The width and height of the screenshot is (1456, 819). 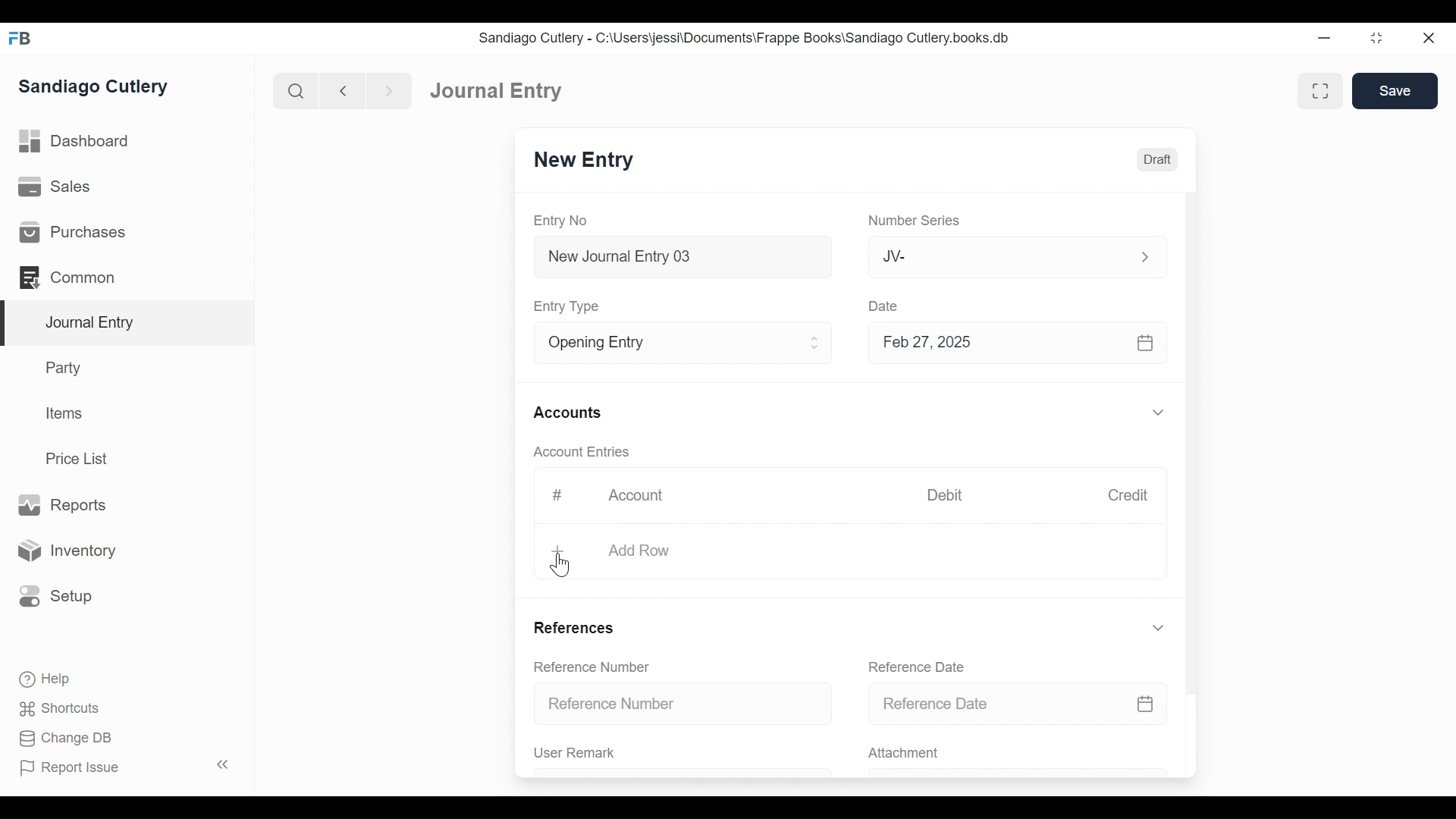 I want to click on #, so click(x=558, y=494).